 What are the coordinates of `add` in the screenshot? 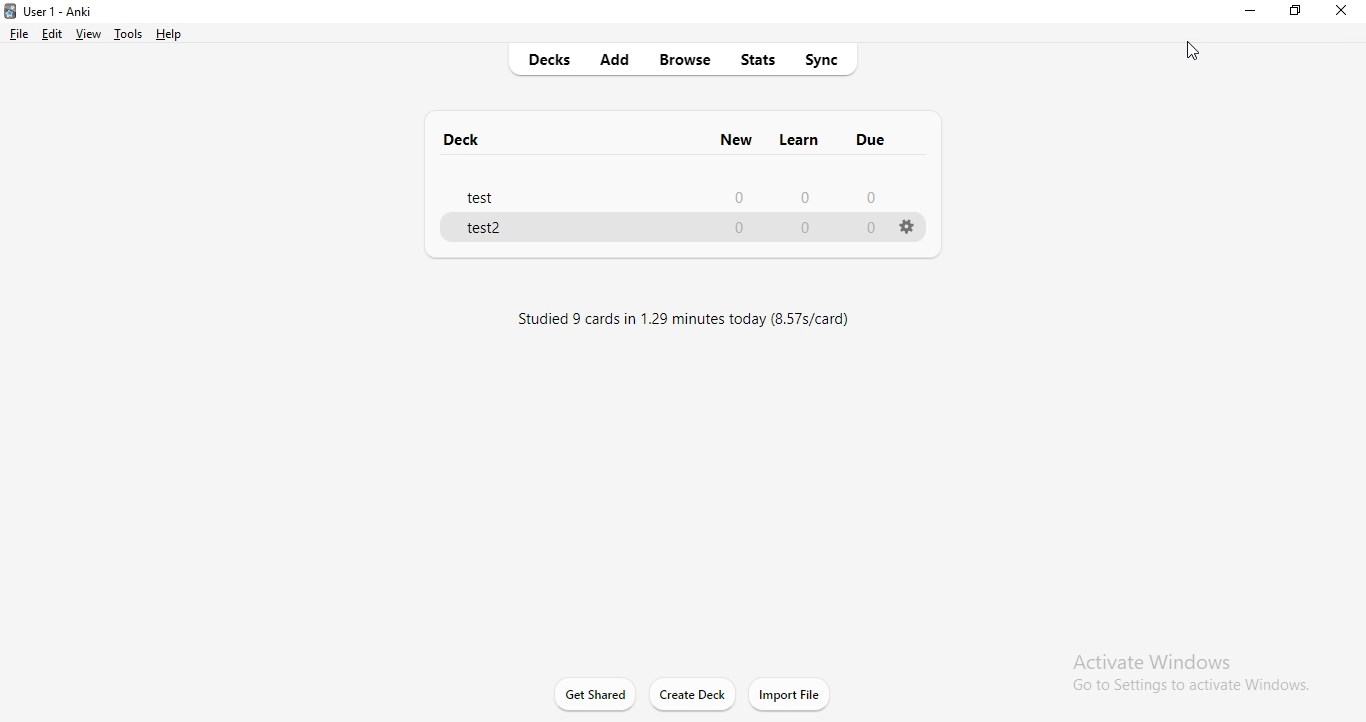 It's located at (621, 60).